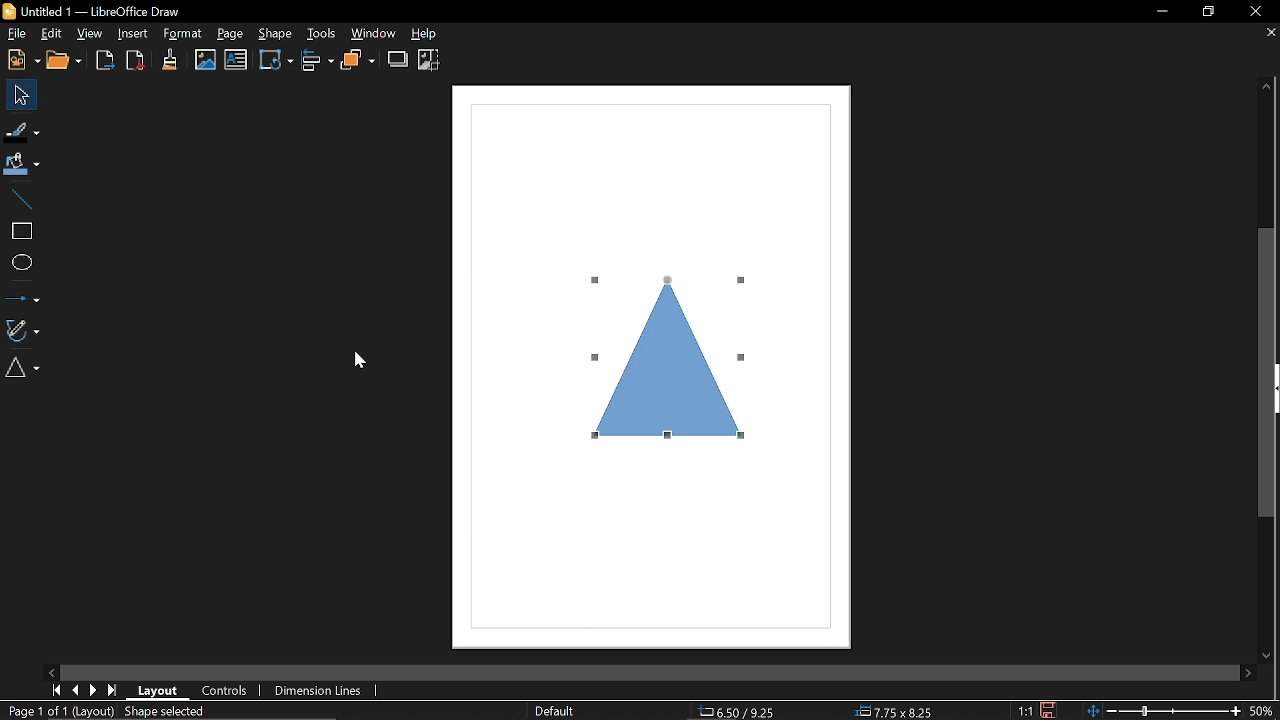 The height and width of the screenshot is (720, 1280). I want to click on Slide master name, so click(554, 711).